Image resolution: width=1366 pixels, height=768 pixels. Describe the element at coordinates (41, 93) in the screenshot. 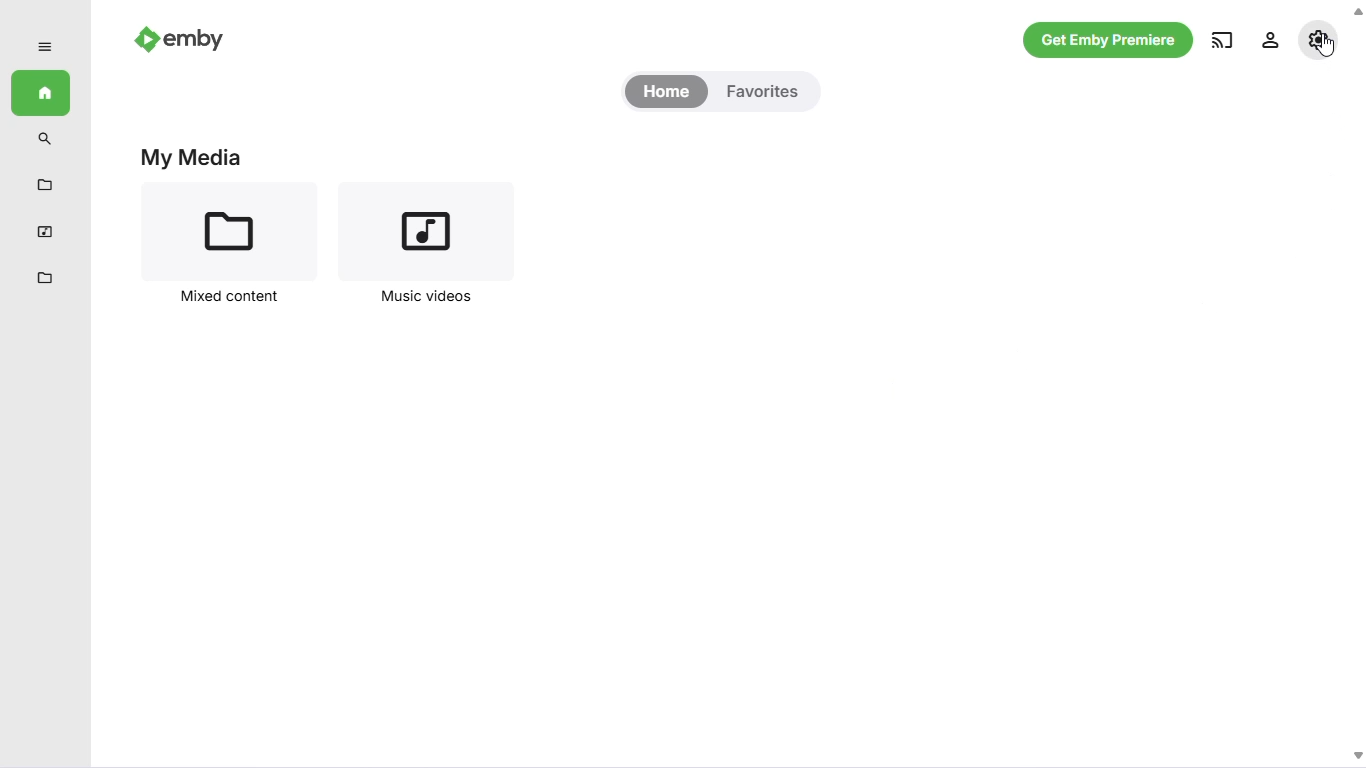

I see `home` at that location.